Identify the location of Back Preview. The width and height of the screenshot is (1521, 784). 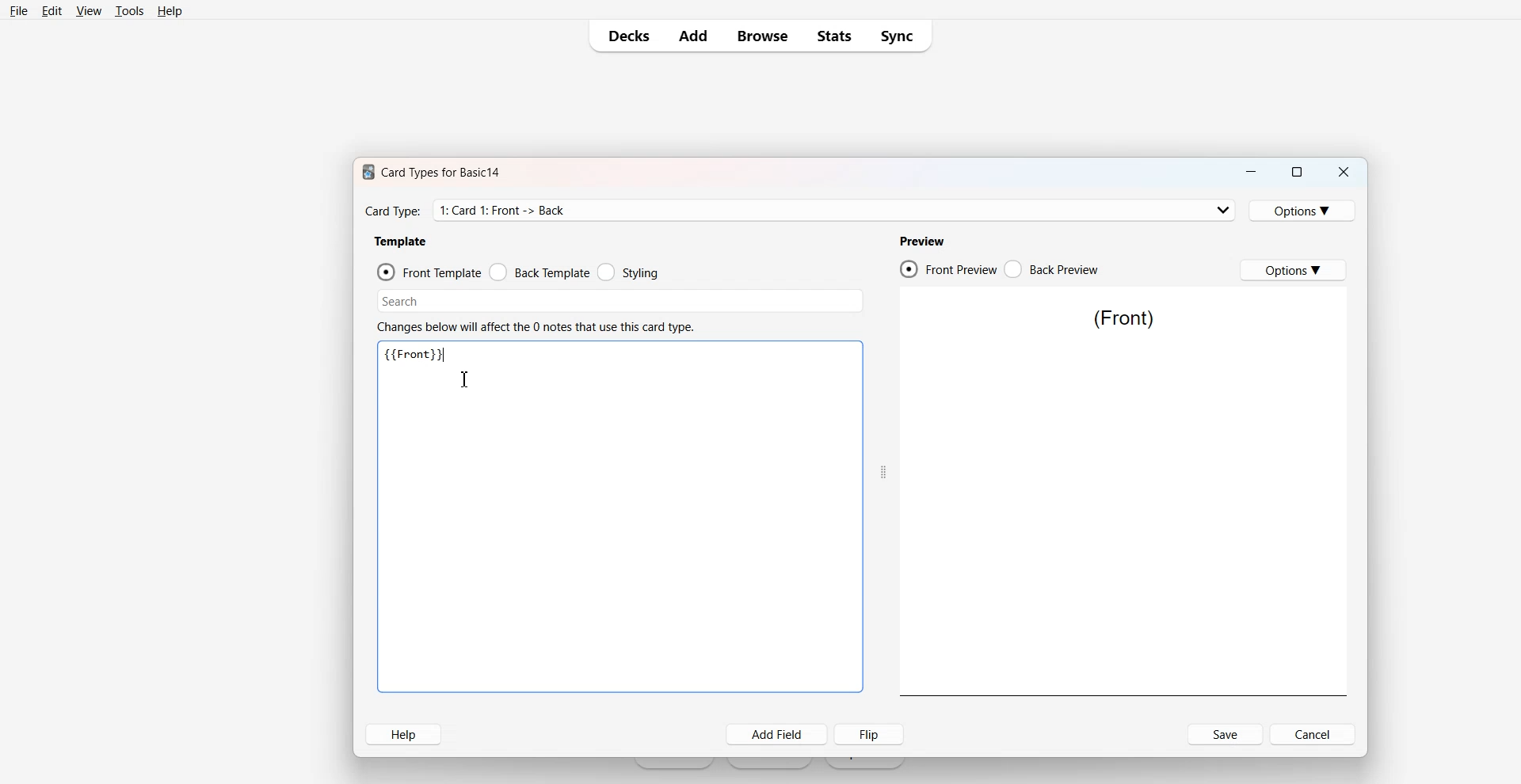
(1052, 268).